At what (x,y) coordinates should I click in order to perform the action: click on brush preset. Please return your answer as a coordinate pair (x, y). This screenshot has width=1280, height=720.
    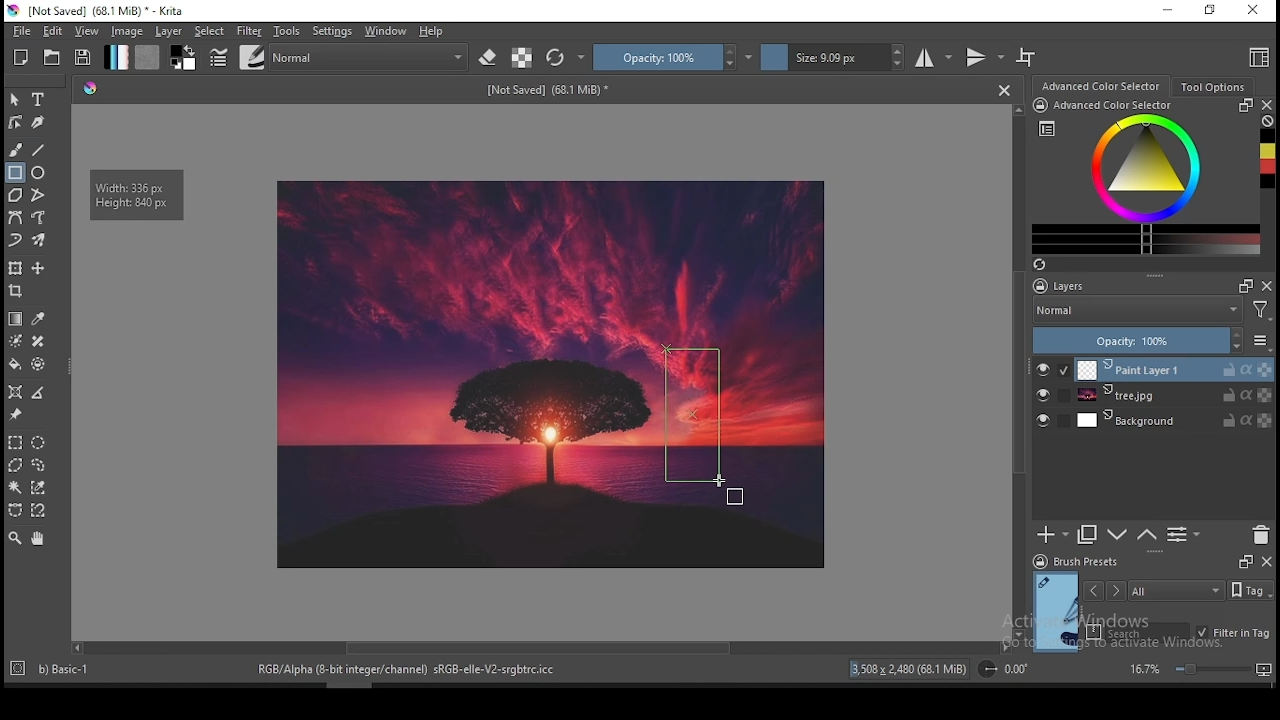
    Looking at the image, I should click on (1075, 561).